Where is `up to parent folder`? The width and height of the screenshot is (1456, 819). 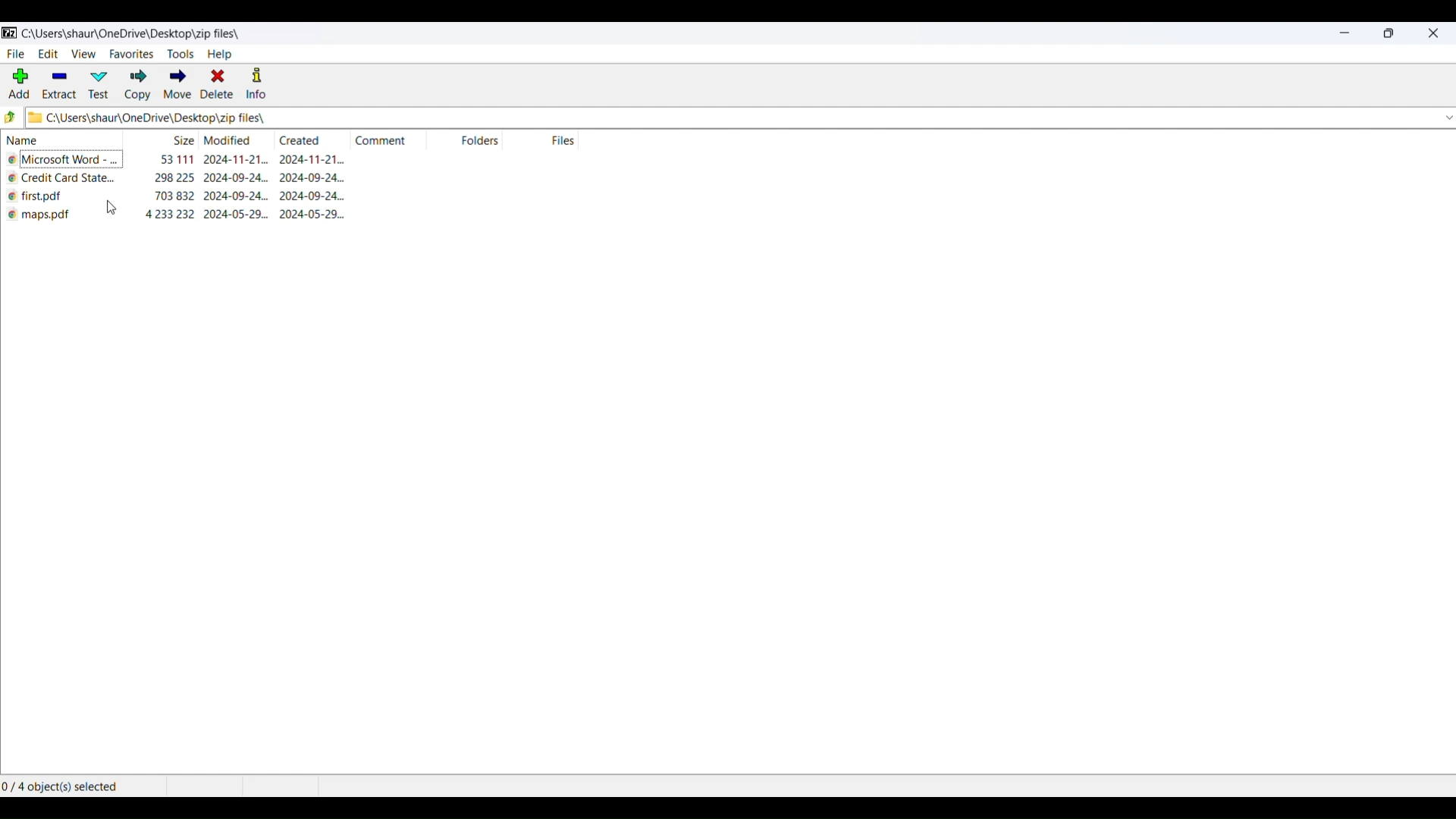 up to parent folder is located at coordinates (10, 117).